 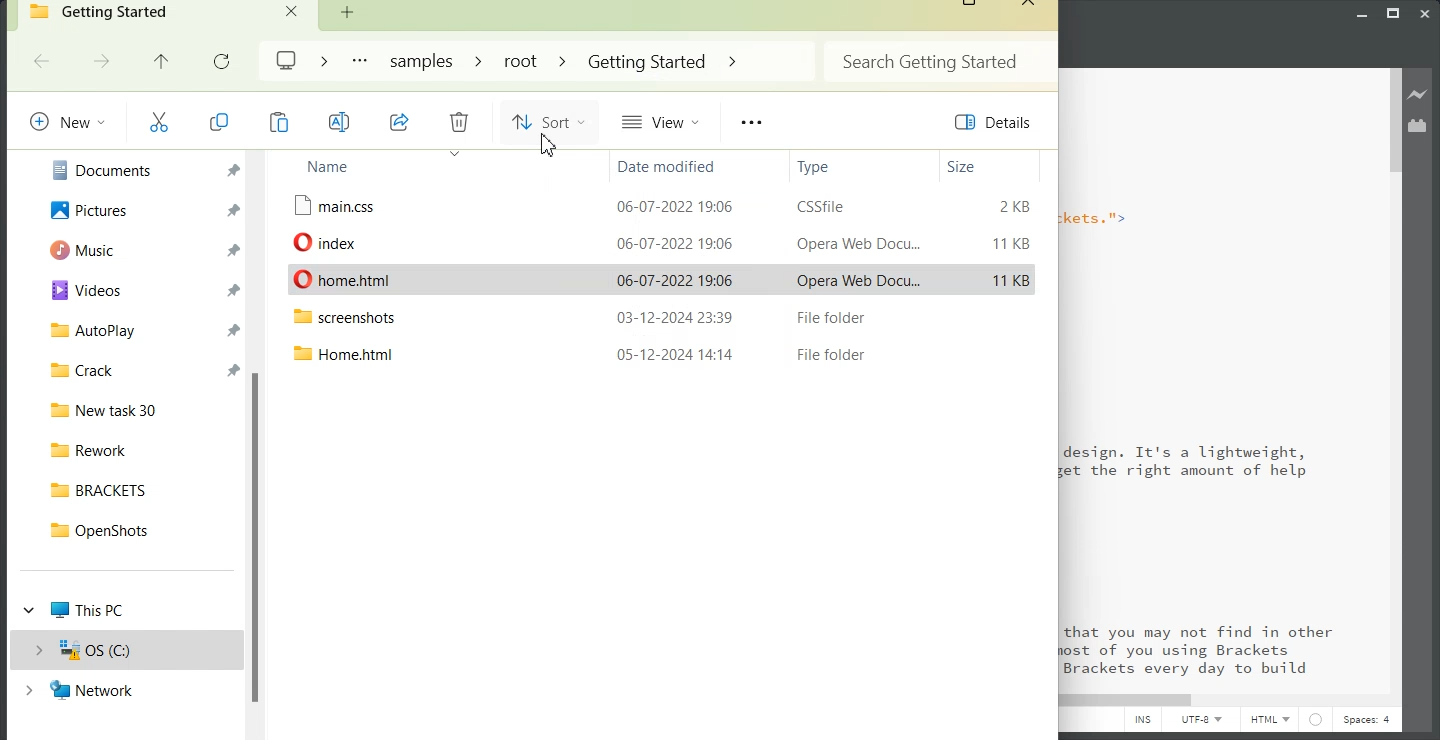 What do you see at coordinates (138, 332) in the screenshot?
I see `Auto play` at bounding box center [138, 332].